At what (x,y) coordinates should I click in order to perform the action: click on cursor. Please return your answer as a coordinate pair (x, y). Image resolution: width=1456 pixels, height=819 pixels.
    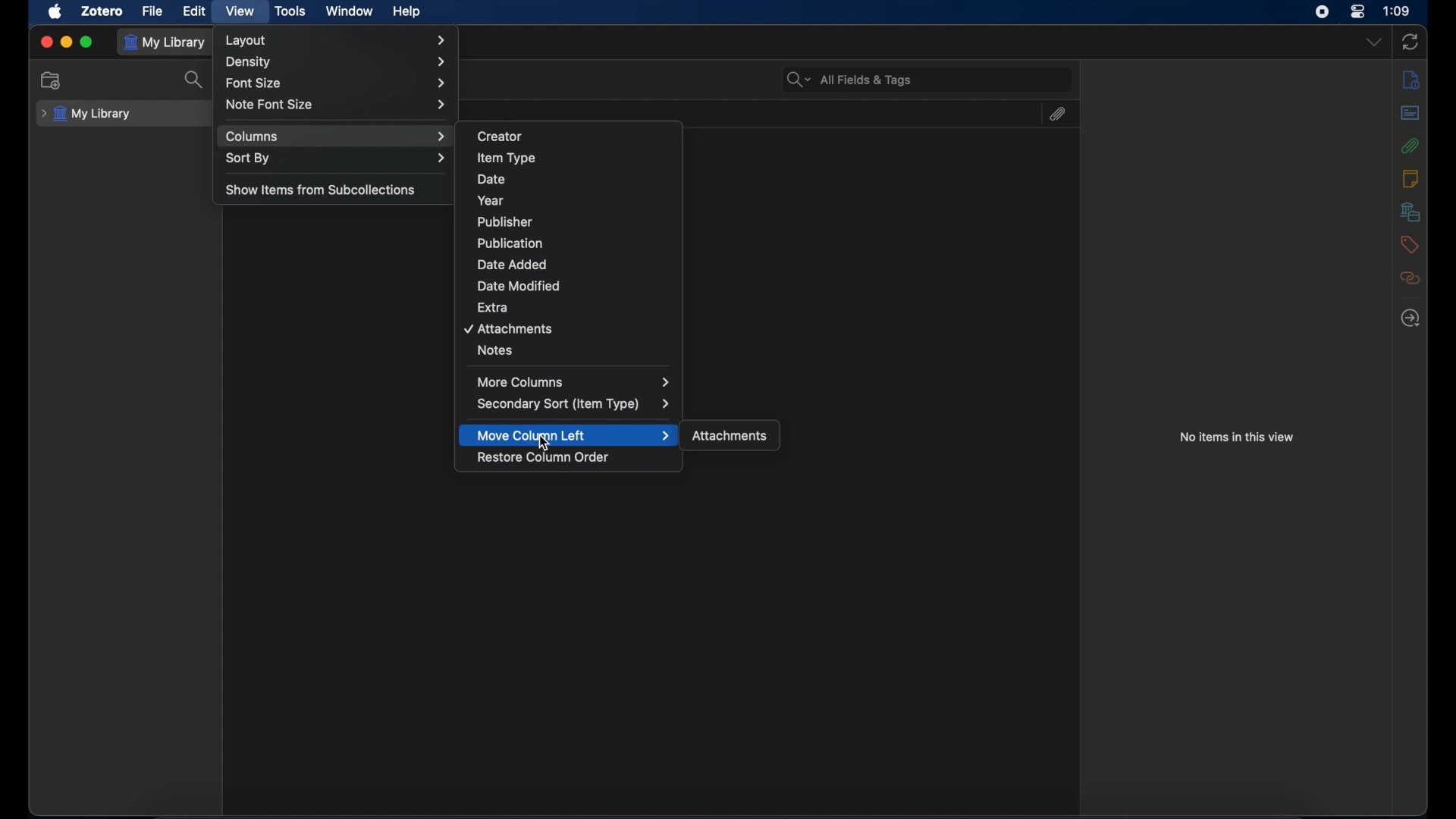
    Looking at the image, I should click on (545, 444).